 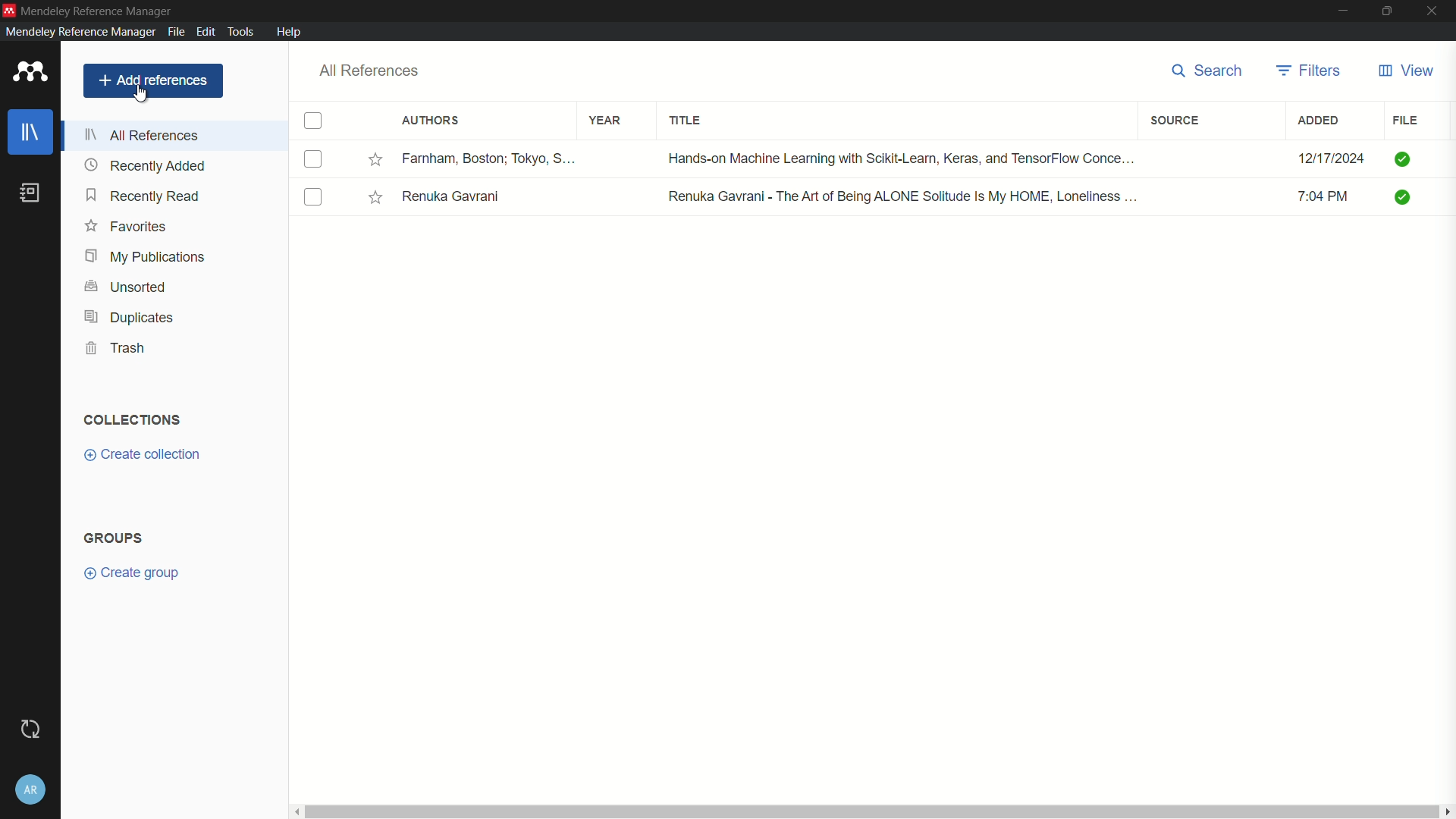 I want to click on authors, so click(x=431, y=122).